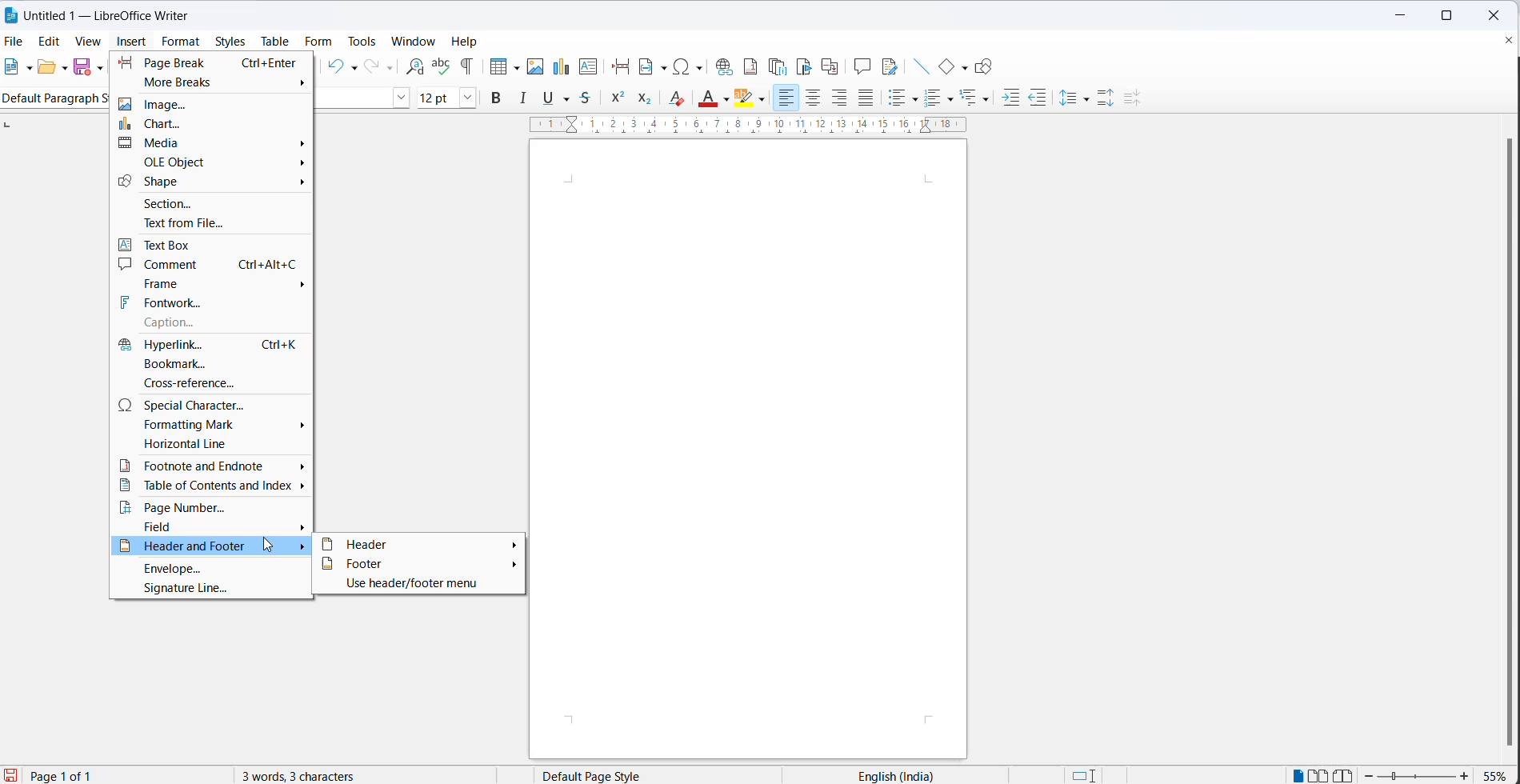 The width and height of the screenshot is (1520, 784). I want to click on character highlighting, so click(763, 100).